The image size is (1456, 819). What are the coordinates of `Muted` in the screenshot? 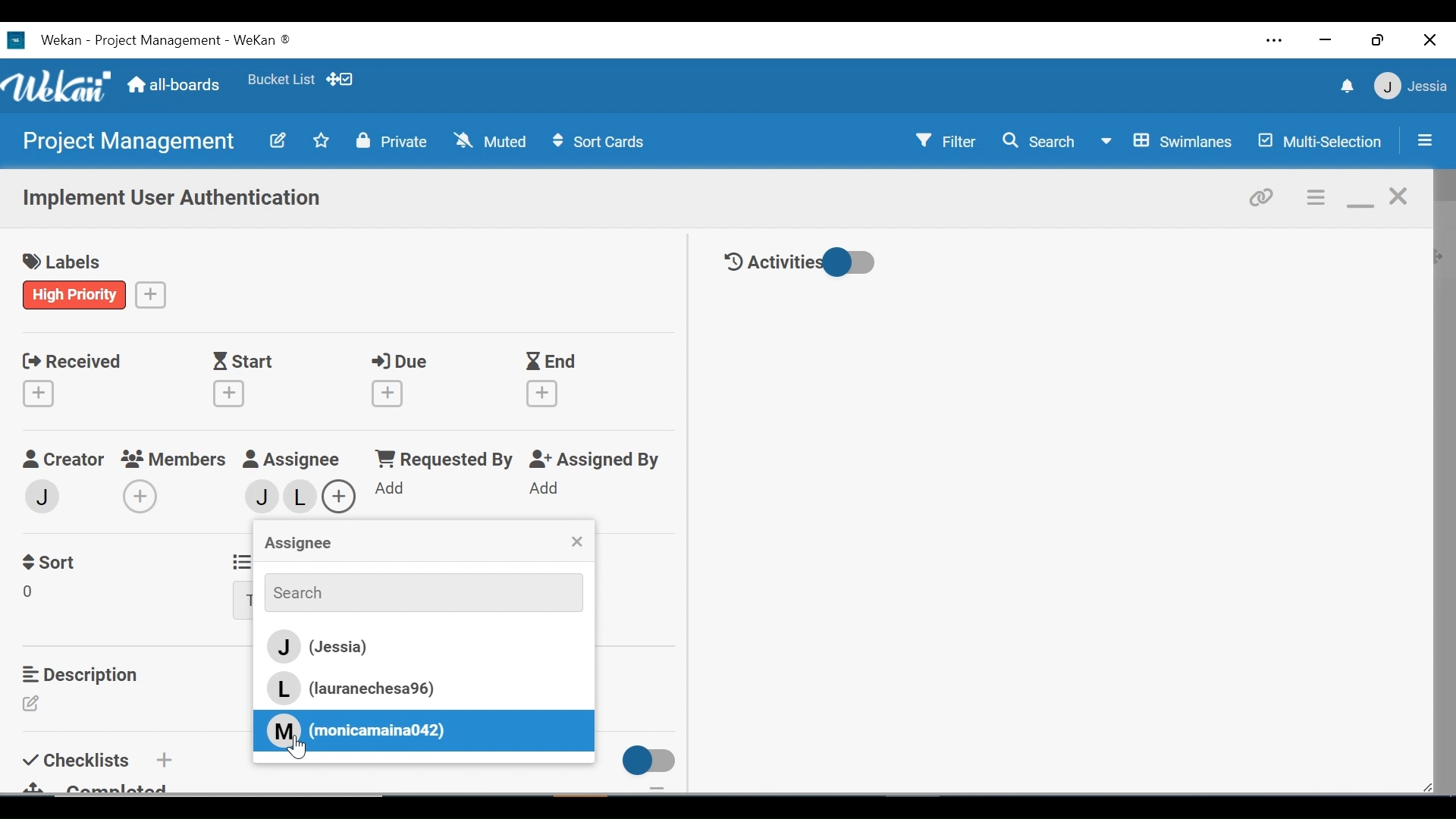 It's located at (494, 140).